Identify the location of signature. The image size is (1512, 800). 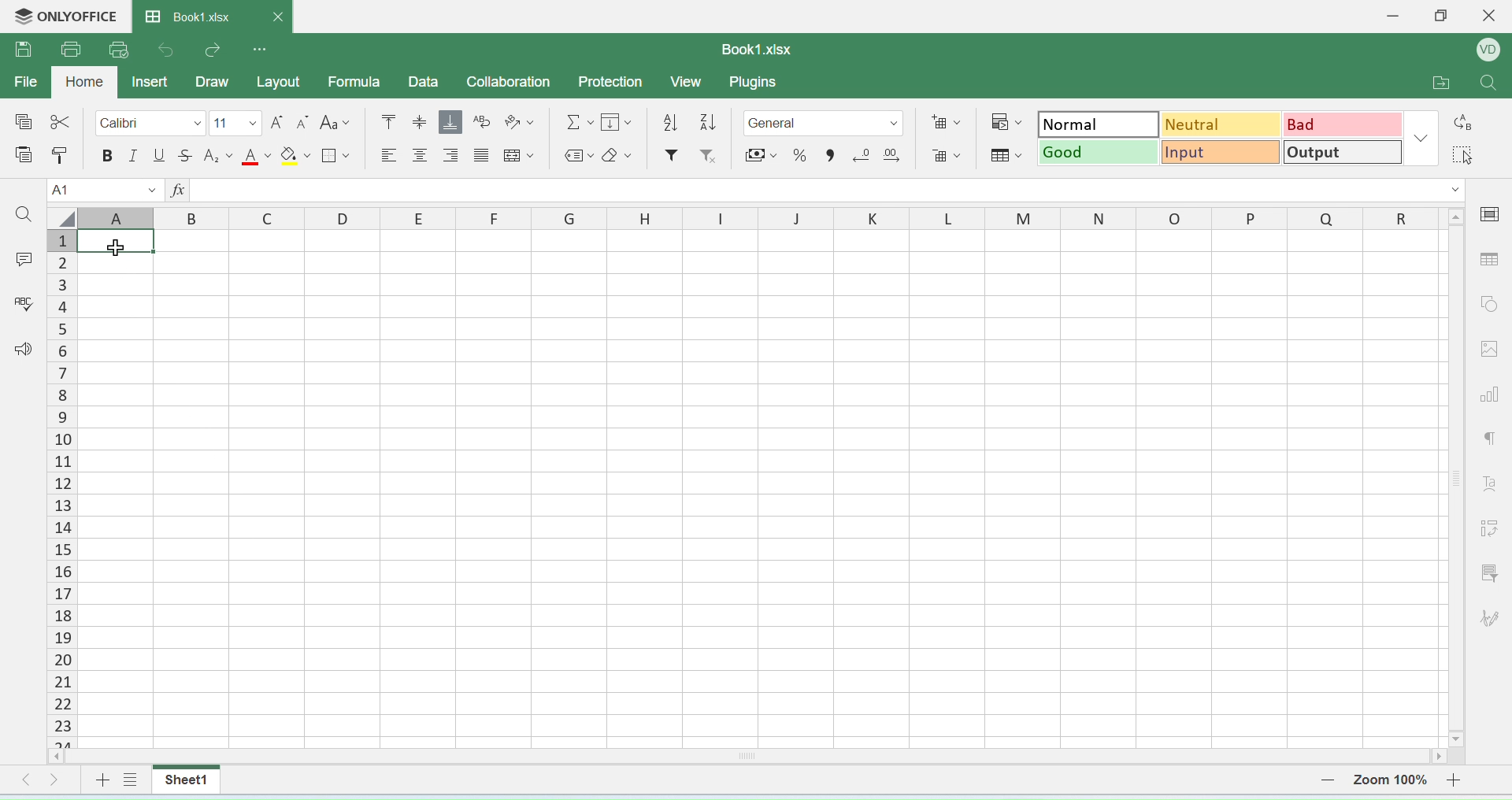
(1492, 621).